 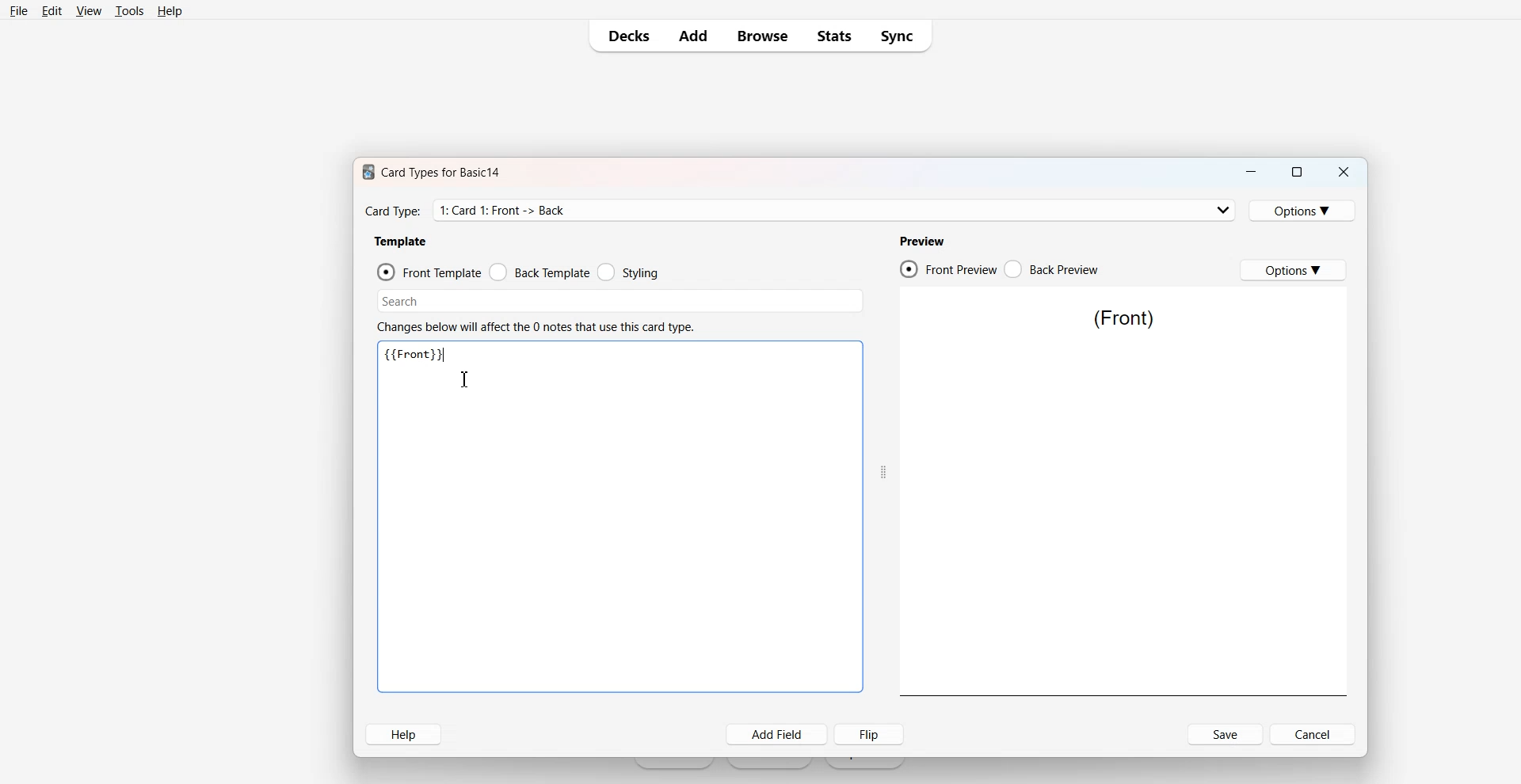 What do you see at coordinates (921, 241) in the screenshot?
I see `Preview` at bounding box center [921, 241].